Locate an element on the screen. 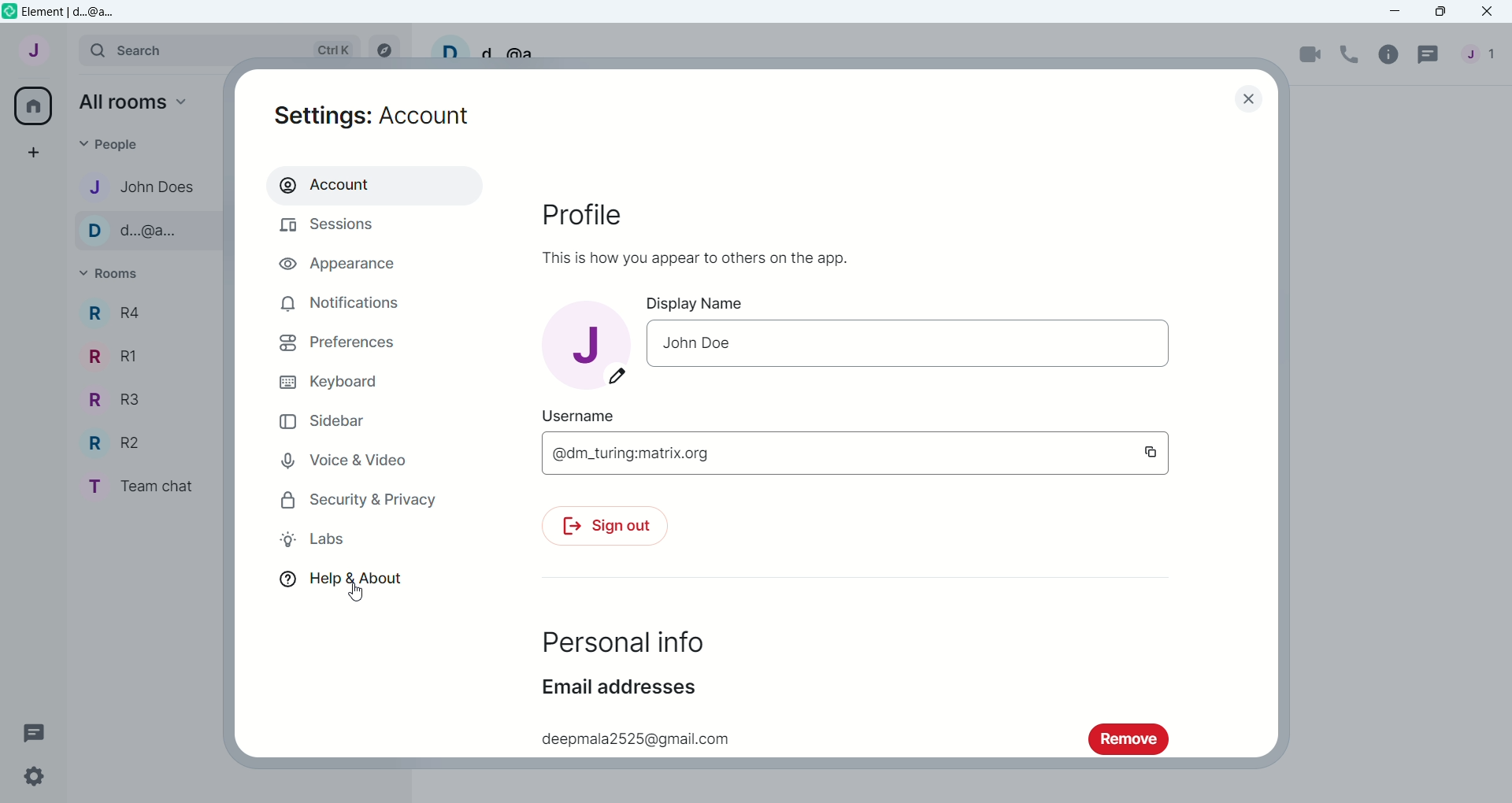  Help and about is located at coordinates (346, 578).